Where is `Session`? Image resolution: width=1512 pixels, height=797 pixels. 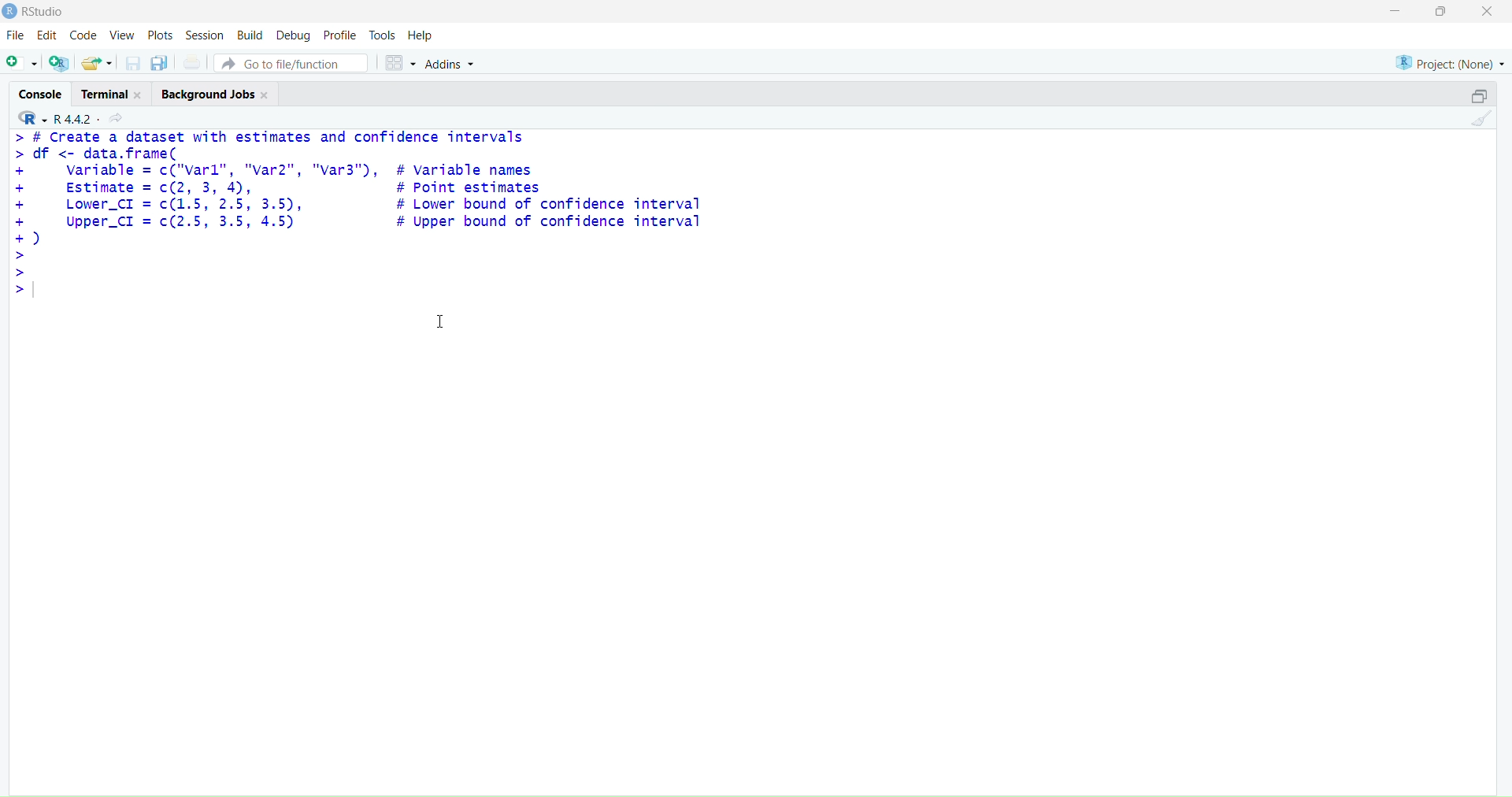
Session is located at coordinates (203, 35).